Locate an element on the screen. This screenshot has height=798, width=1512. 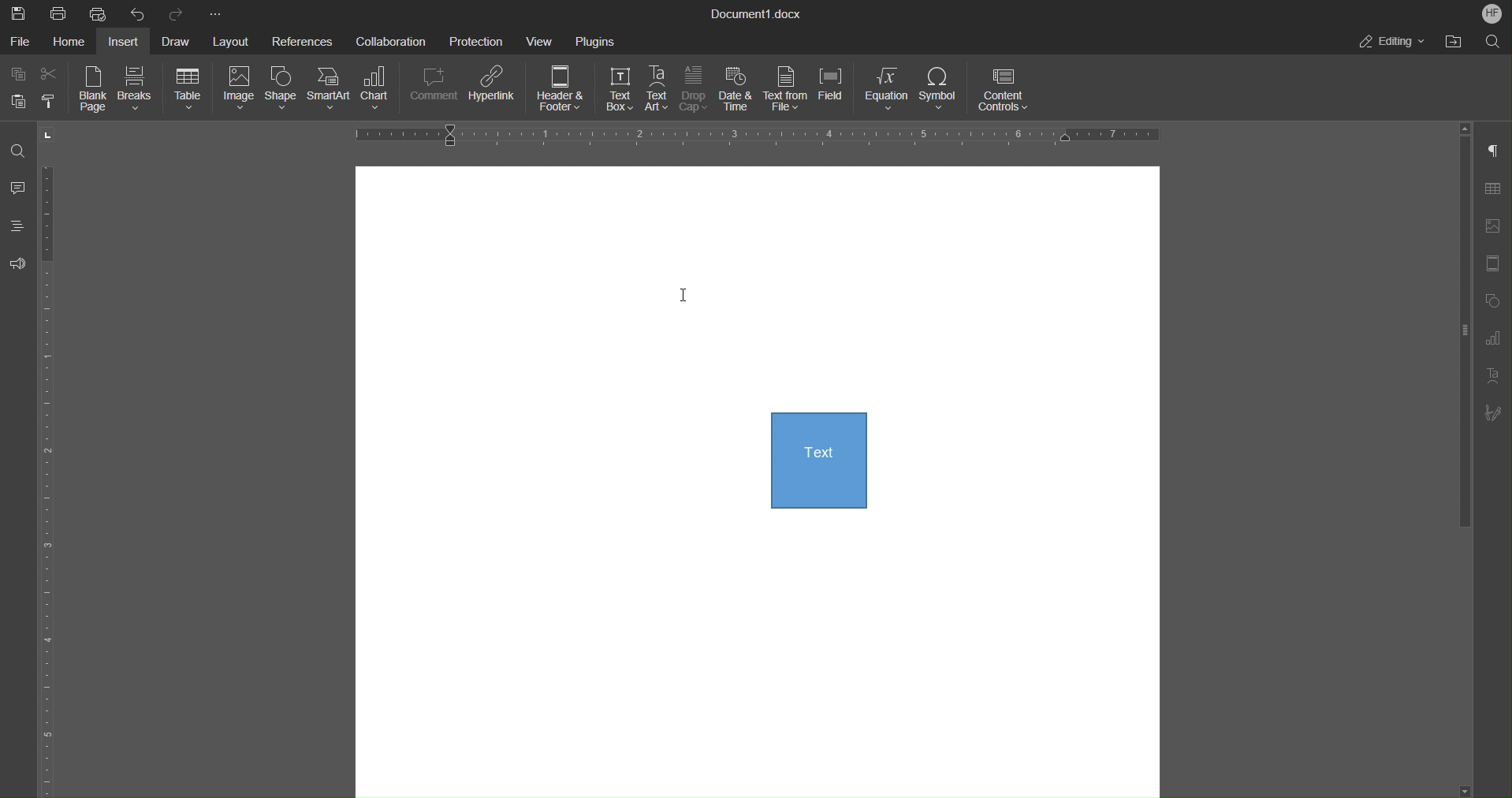
cursor is located at coordinates (688, 297).